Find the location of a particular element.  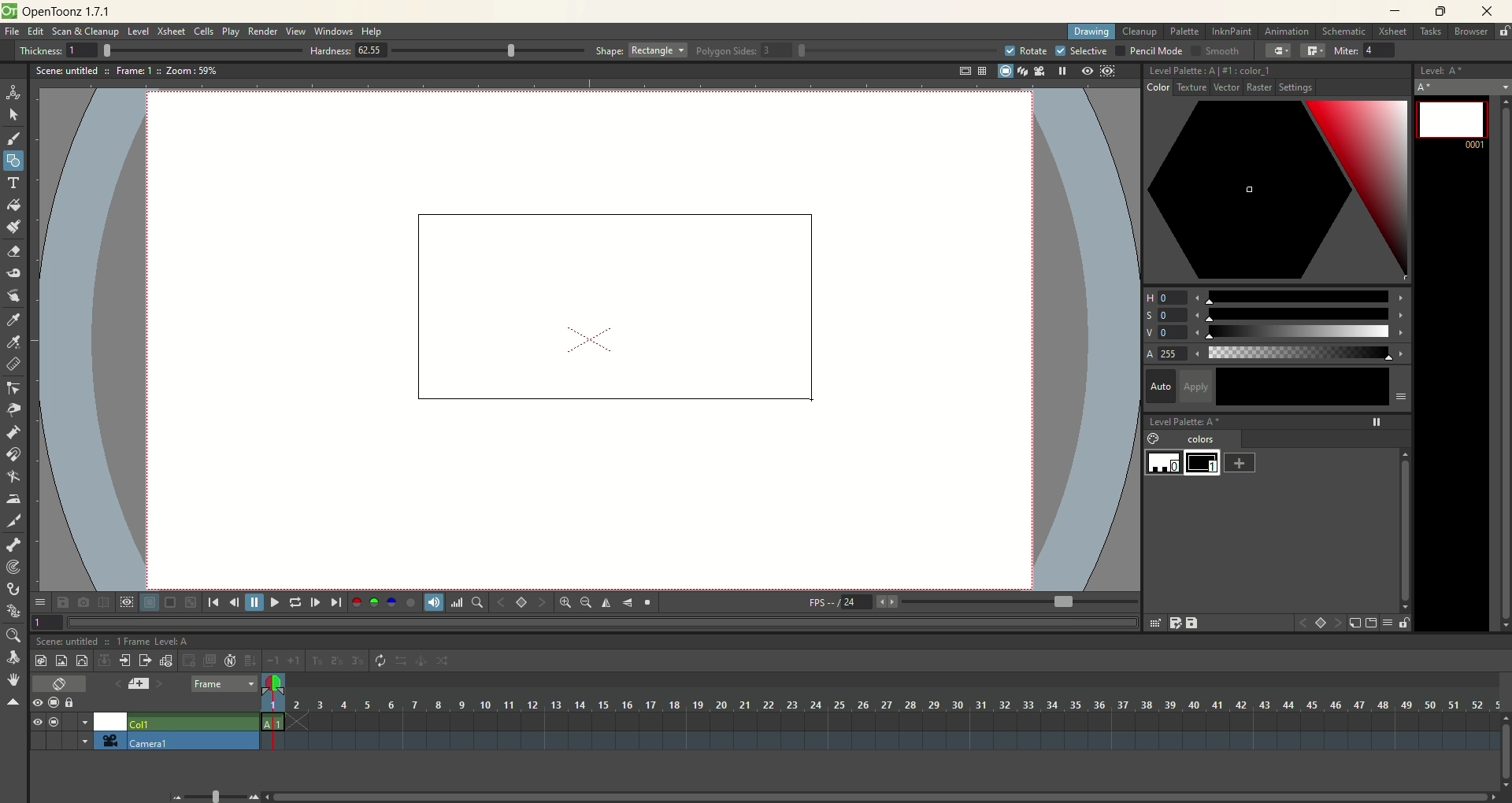

eraser tool is located at coordinates (13, 253).